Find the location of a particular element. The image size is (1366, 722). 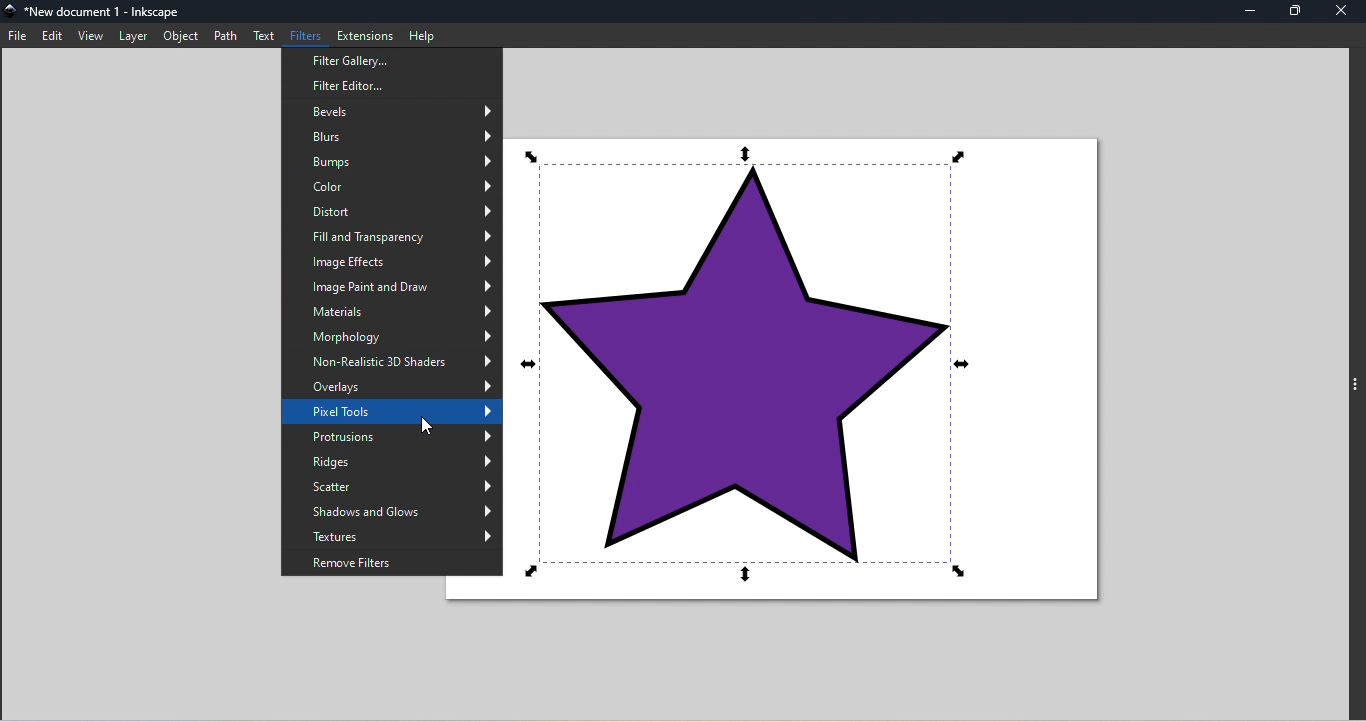

Overlays is located at coordinates (391, 388).